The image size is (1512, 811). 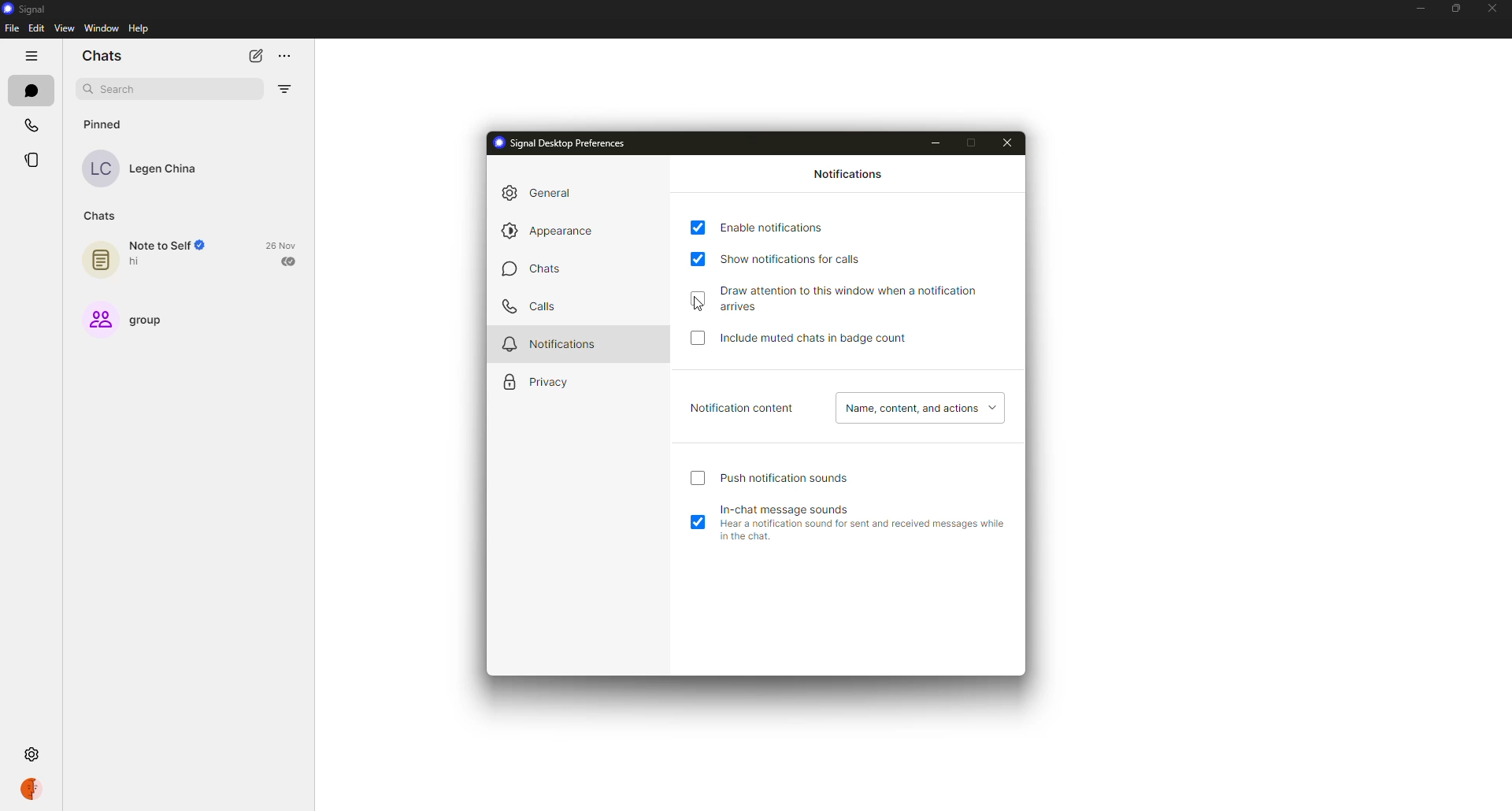 I want to click on minimize, so click(x=936, y=145).